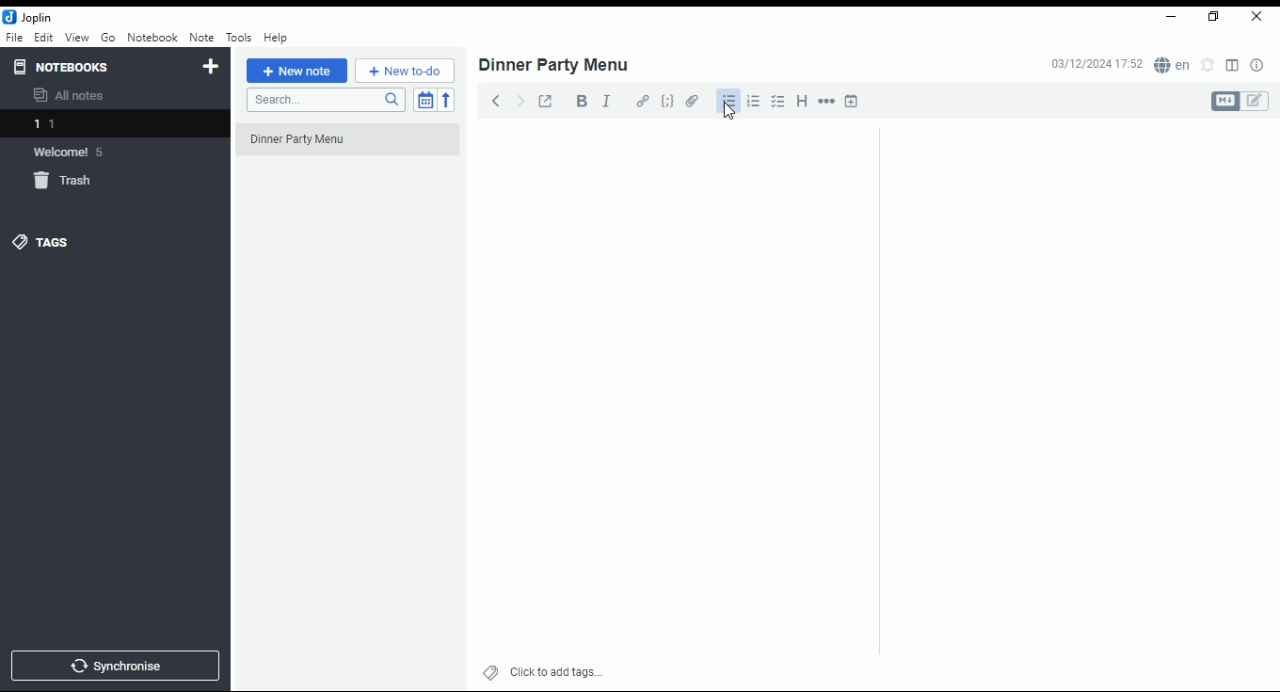 Image resolution: width=1280 pixels, height=692 pixels. What do you see at coordinates (824, 100) in the screenshot?
I see `horizontal rule` at bounding box center [824, 100].